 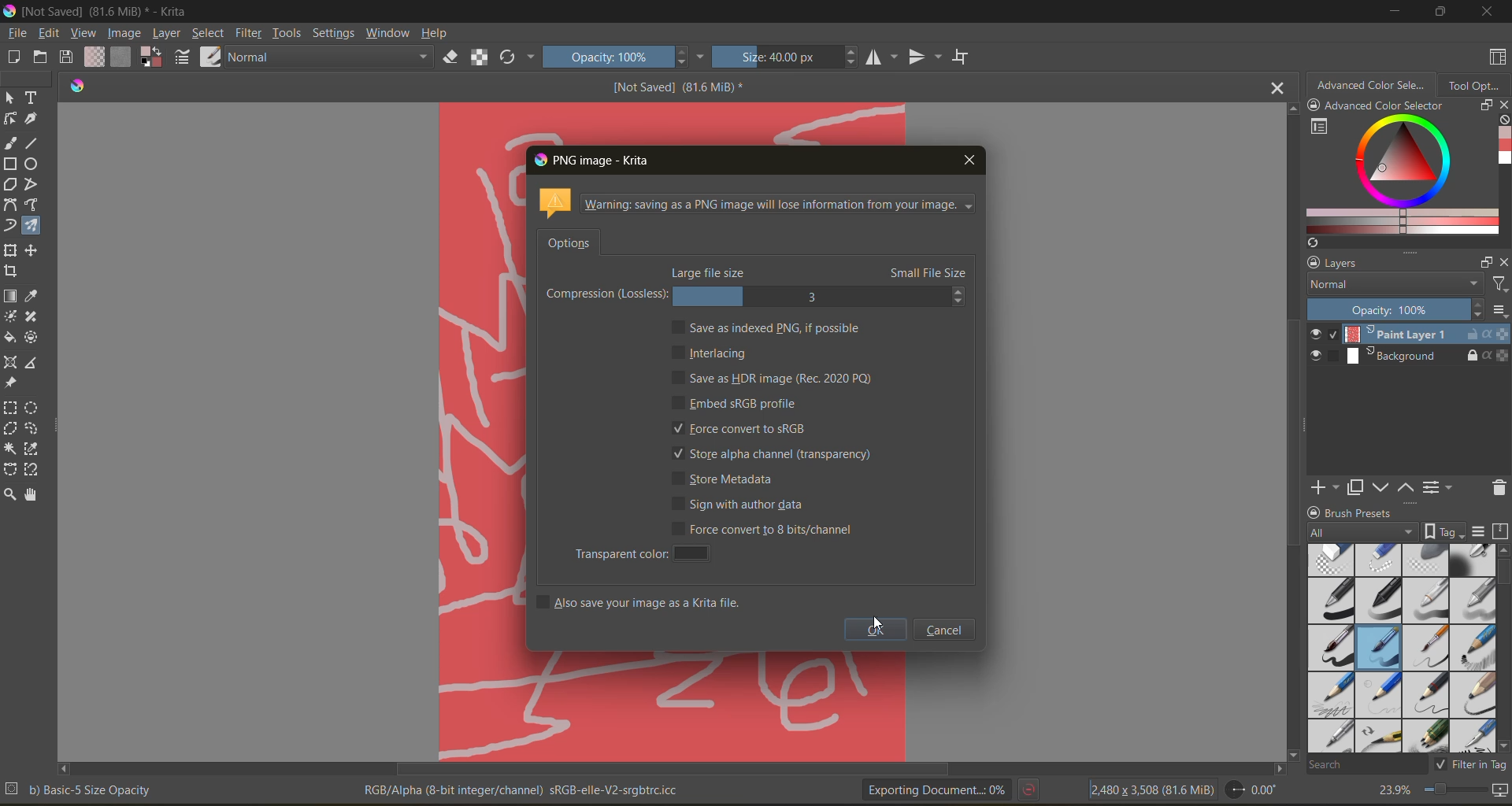 I want to click on exporting document, so click(x=948, y=790).